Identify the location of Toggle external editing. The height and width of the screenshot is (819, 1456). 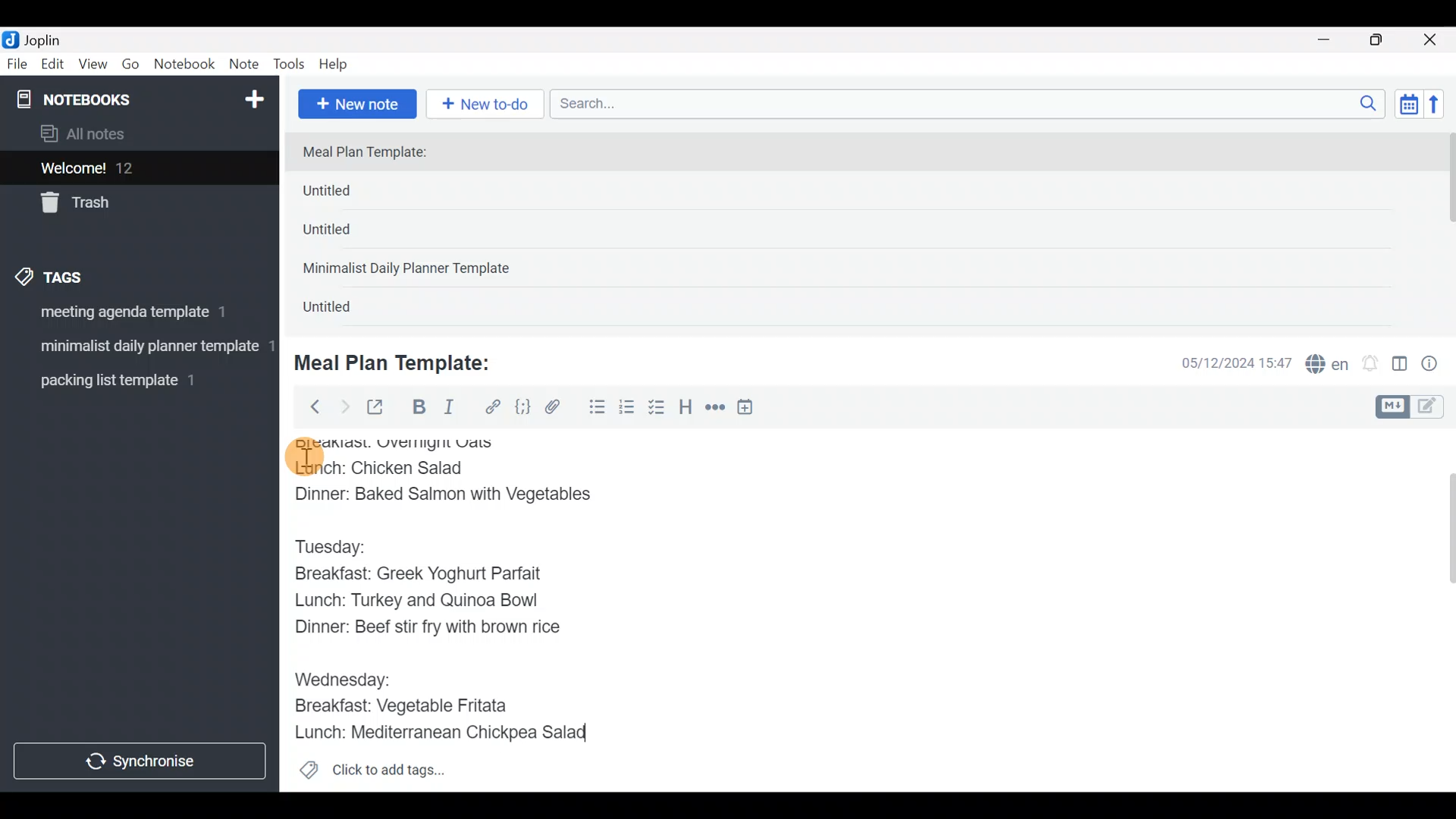
(381, 408).